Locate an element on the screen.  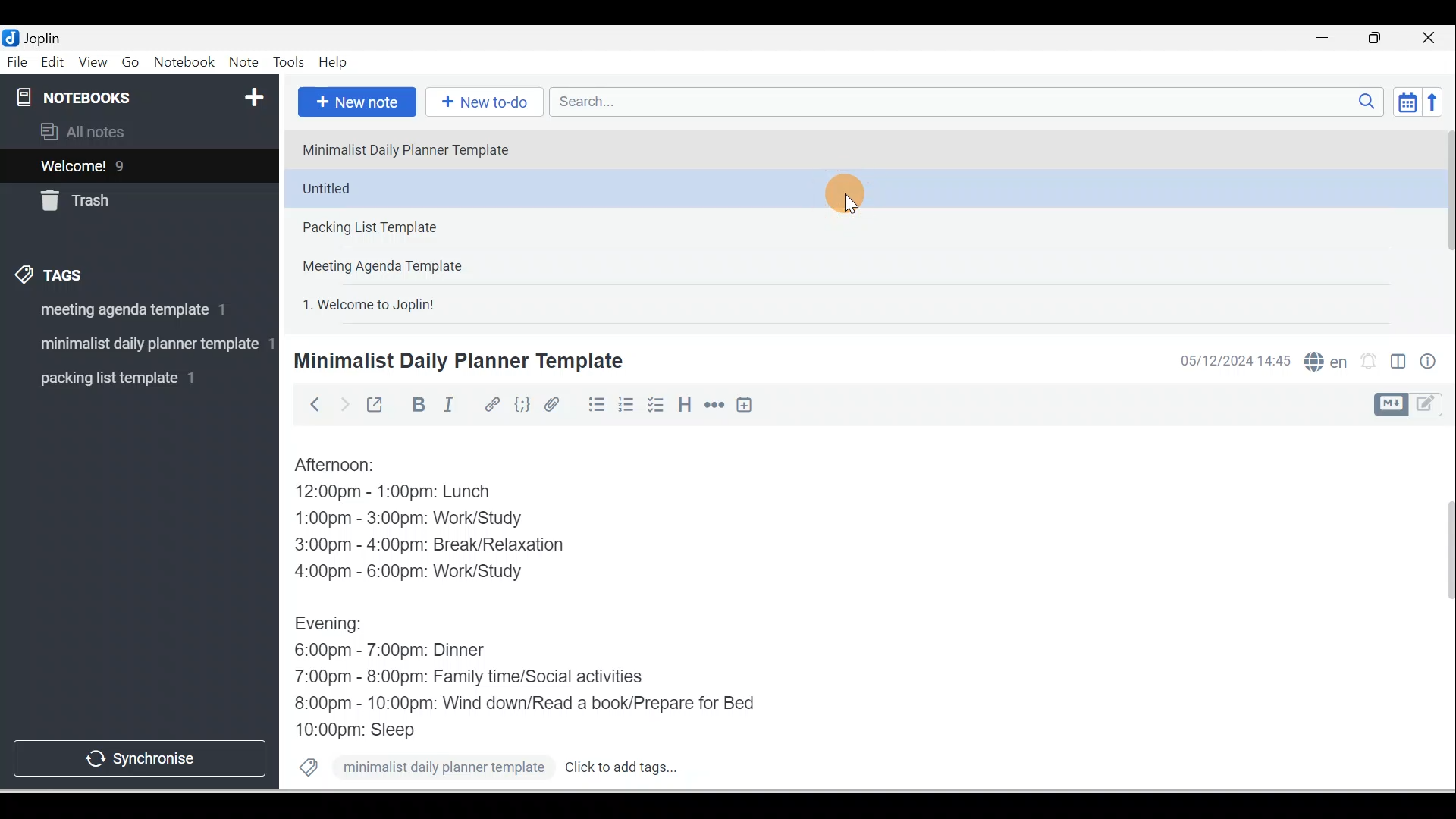
Toggle editor layout is located at coordinates (1414, 405).